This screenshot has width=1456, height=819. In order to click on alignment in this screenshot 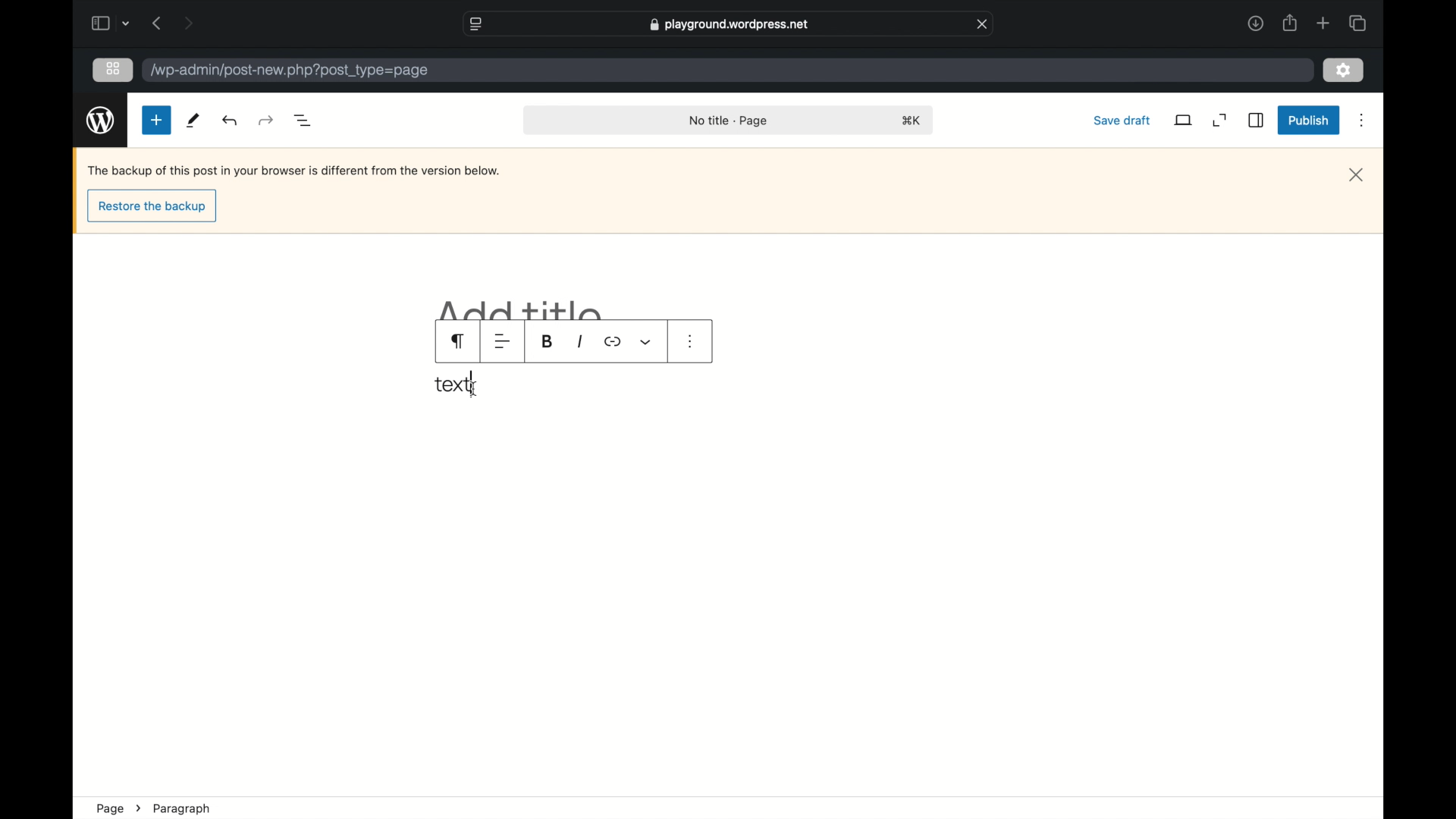, I will do `click(502, 342)`.